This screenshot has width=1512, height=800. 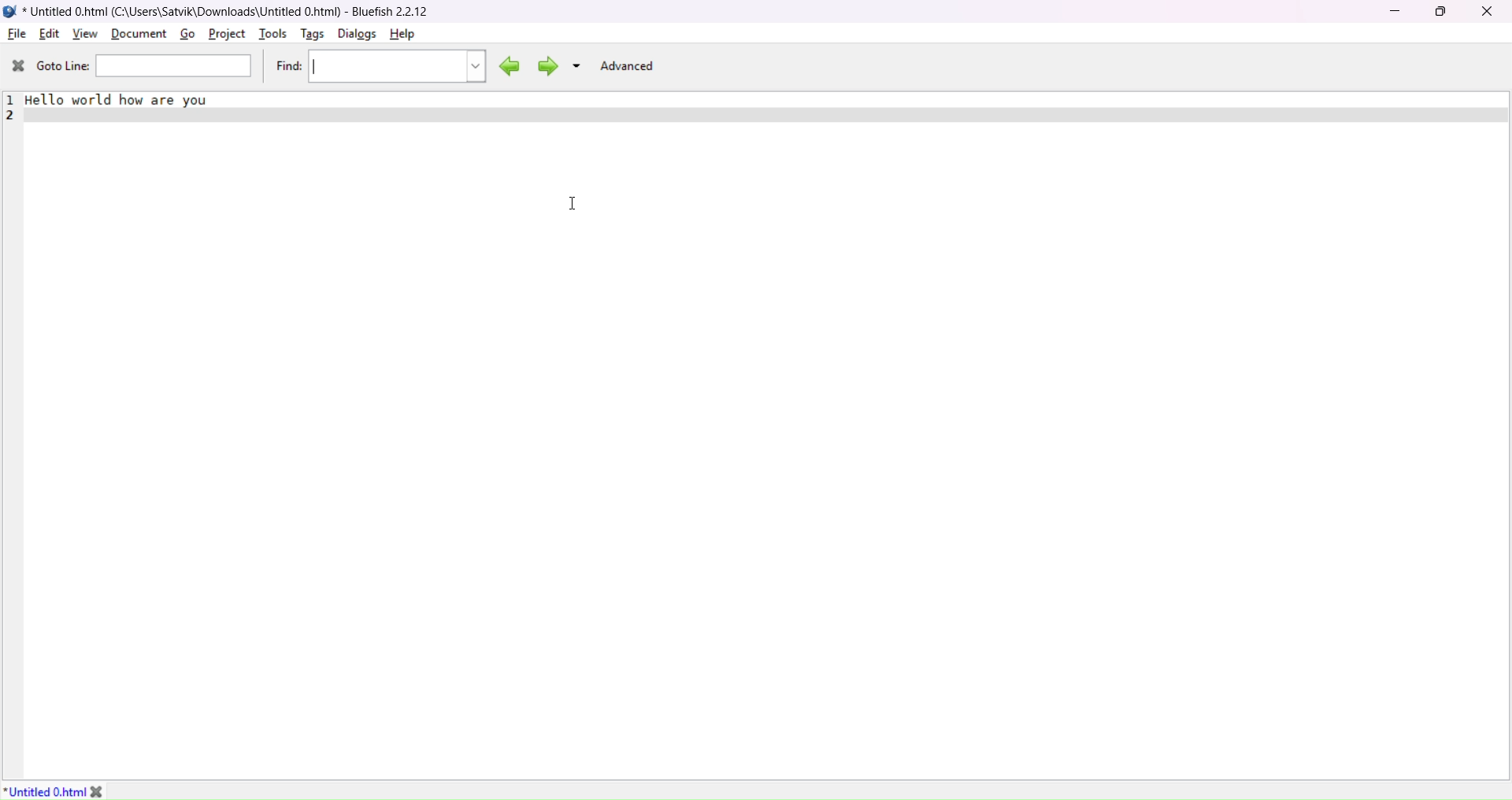 I want to click on project, so click(x=226, y=33).